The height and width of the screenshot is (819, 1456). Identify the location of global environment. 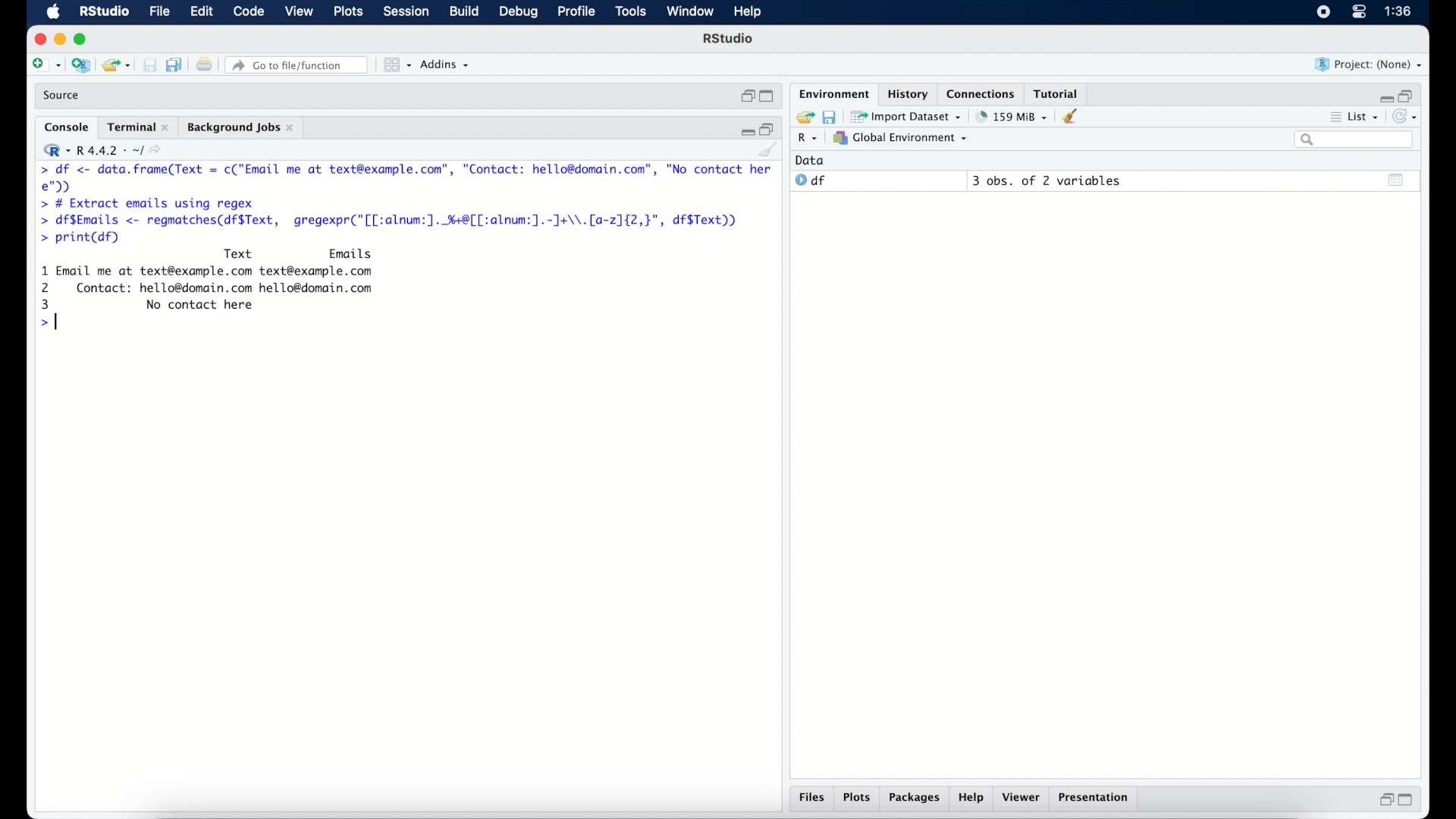
(905, 139).